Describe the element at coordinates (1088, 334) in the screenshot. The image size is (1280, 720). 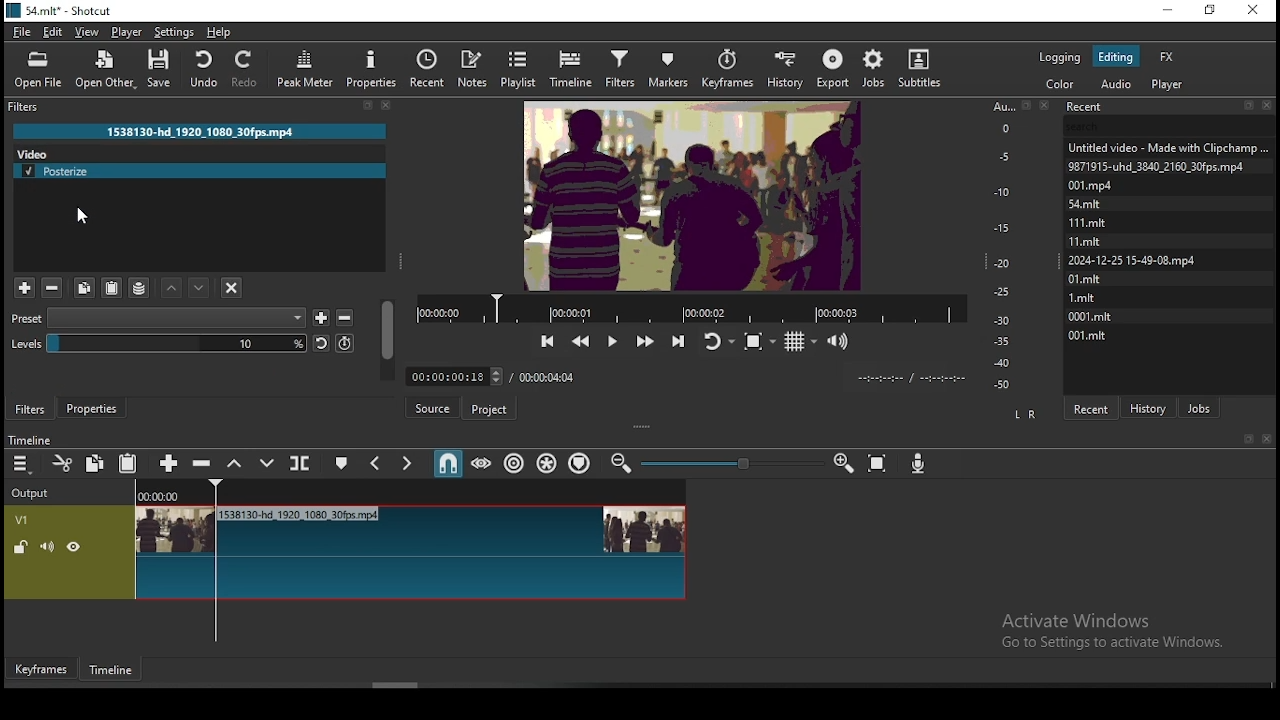
I see `001.mit` at that location.